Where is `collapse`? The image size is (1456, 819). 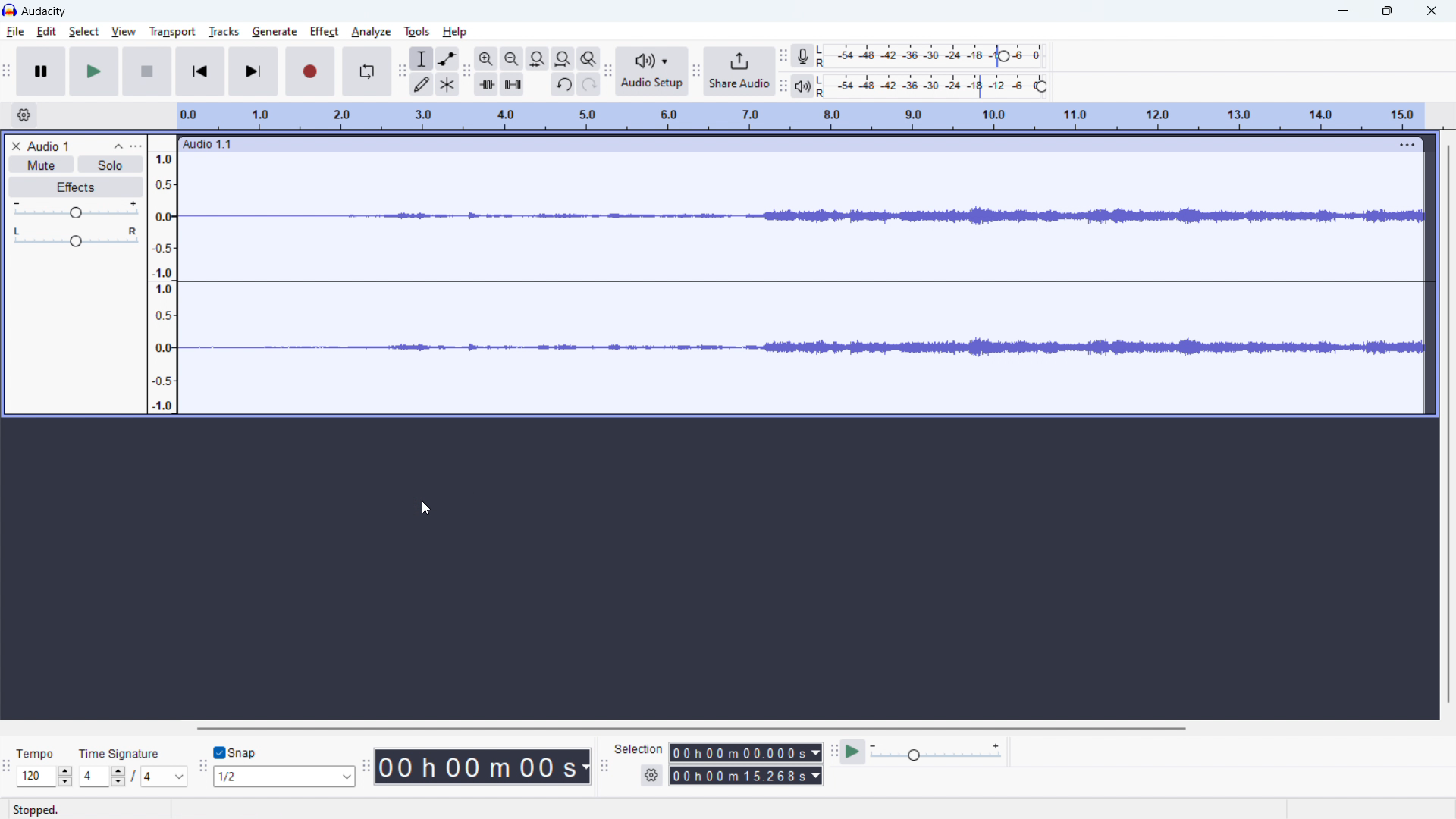
collapse is located at coordinates (118, 146).